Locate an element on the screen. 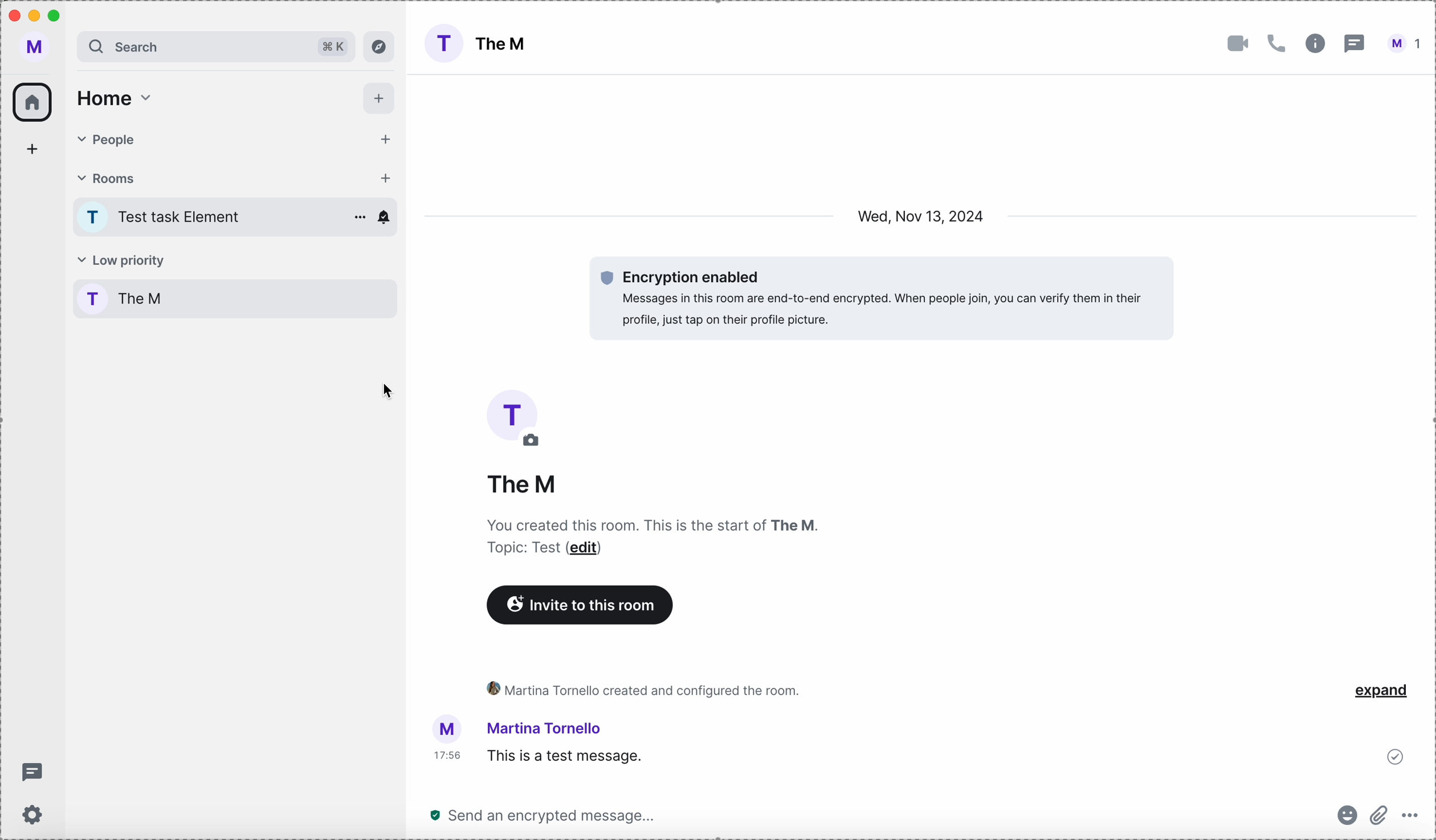 This screenshot has height=840, width=1436. home is located at coordinates (115, 100).